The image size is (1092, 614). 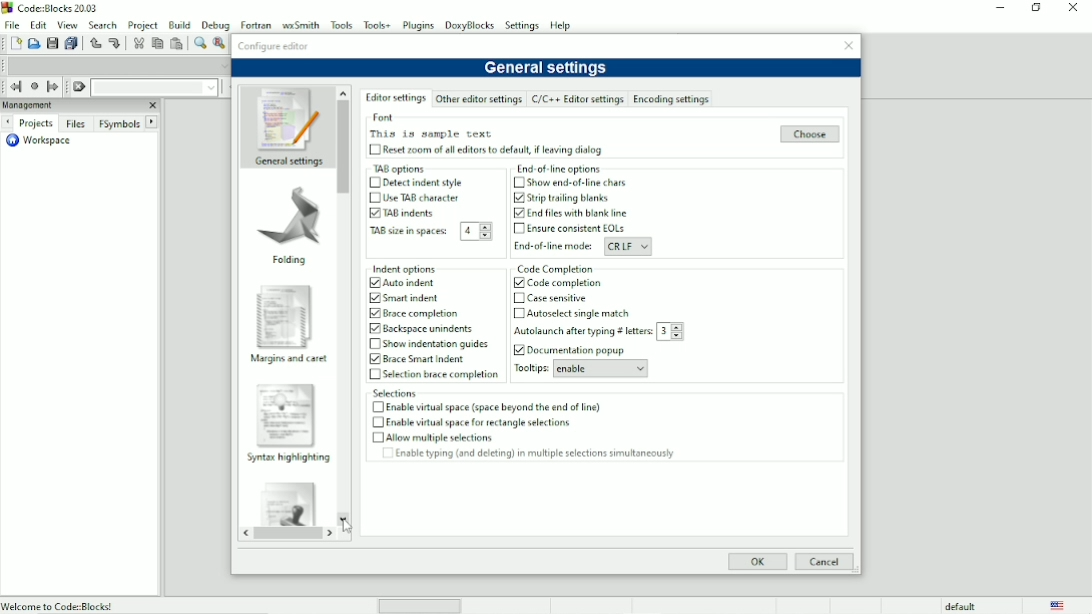 I want to click on Search, so click(x=104, y=24).